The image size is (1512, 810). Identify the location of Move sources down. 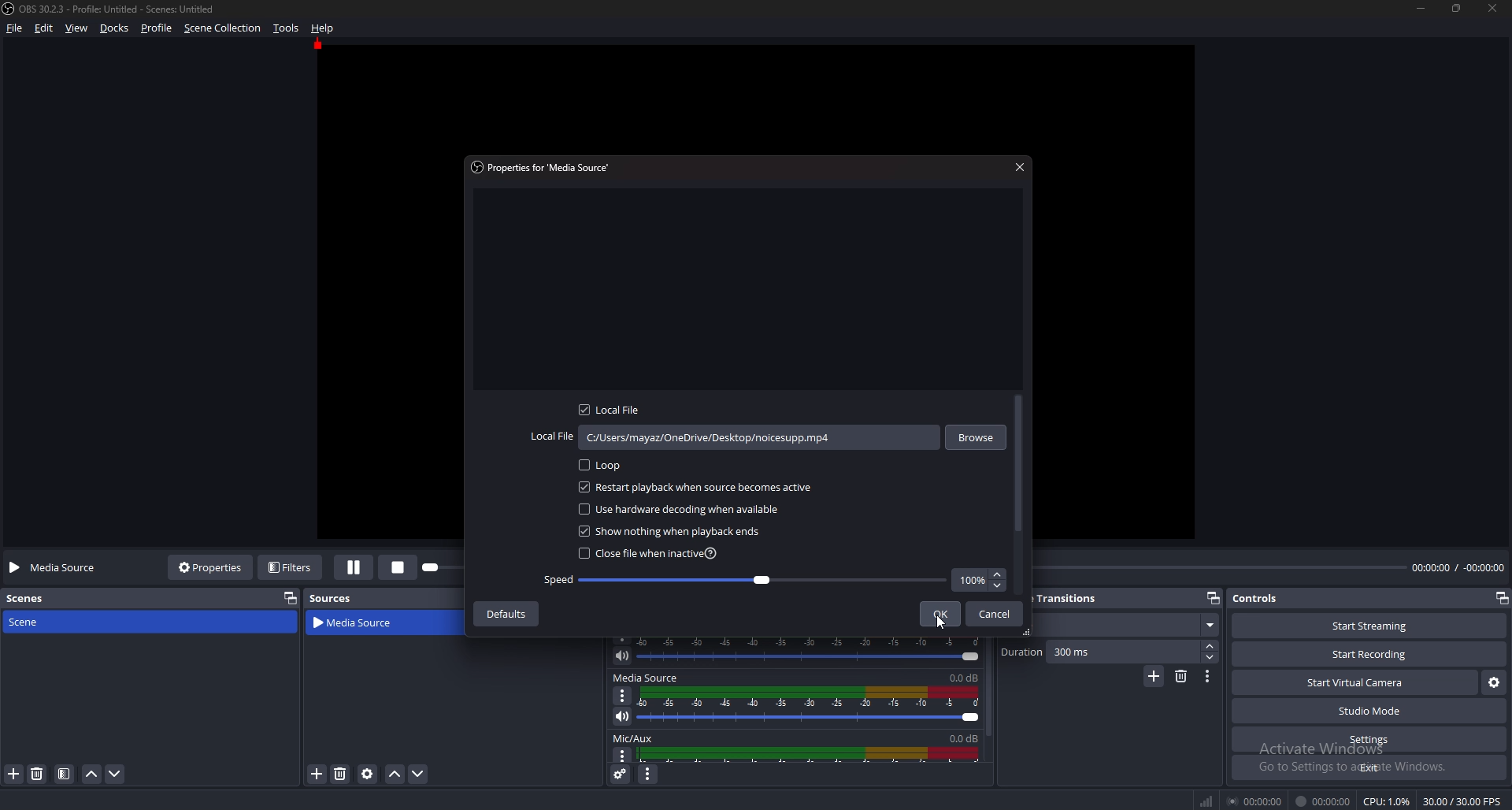
(417, 774).